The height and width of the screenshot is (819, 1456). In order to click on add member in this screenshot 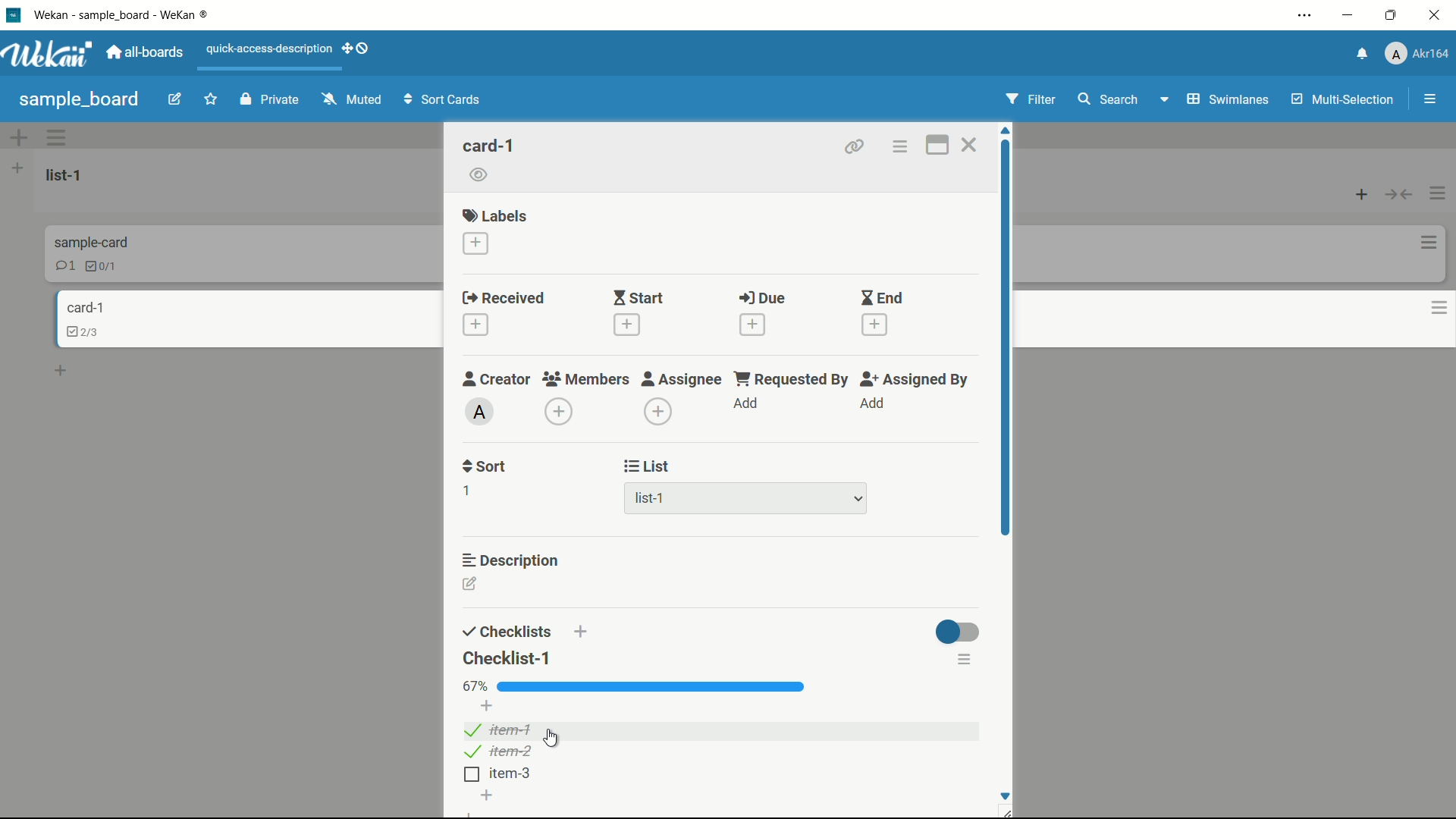, I will do `click(558, 411)`.